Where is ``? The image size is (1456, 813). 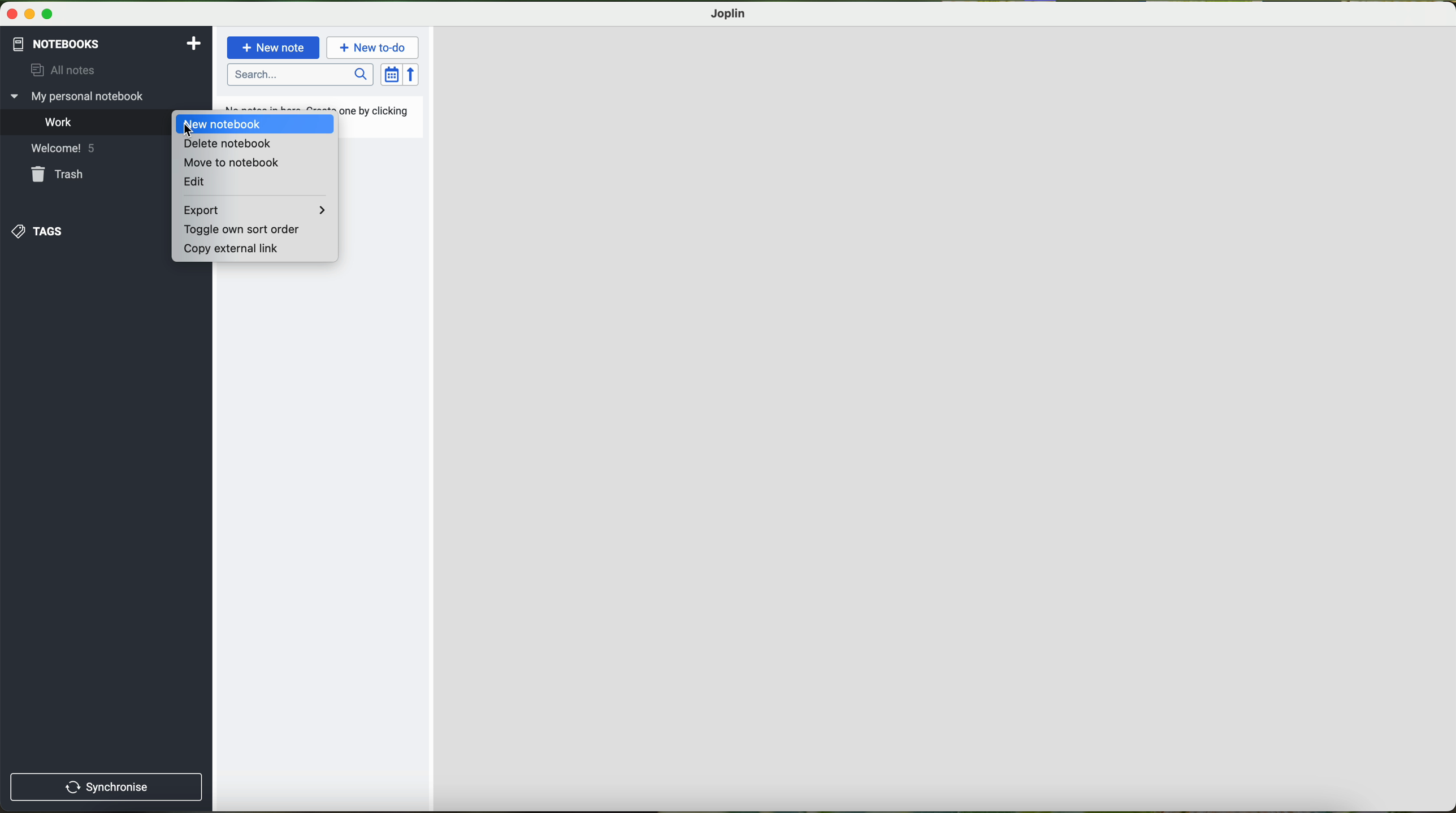  is located at coordinates (391, 75).